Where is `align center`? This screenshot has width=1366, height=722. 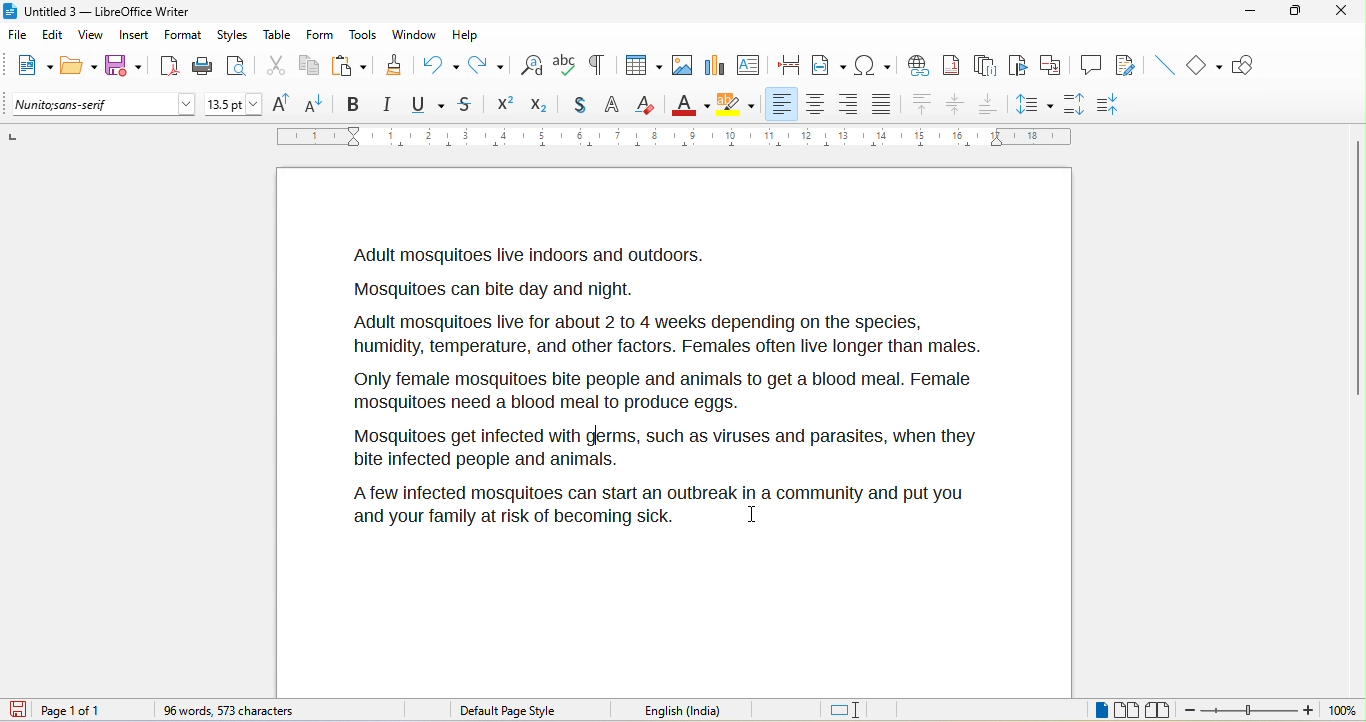
align center is located at coordinates (956, 106).